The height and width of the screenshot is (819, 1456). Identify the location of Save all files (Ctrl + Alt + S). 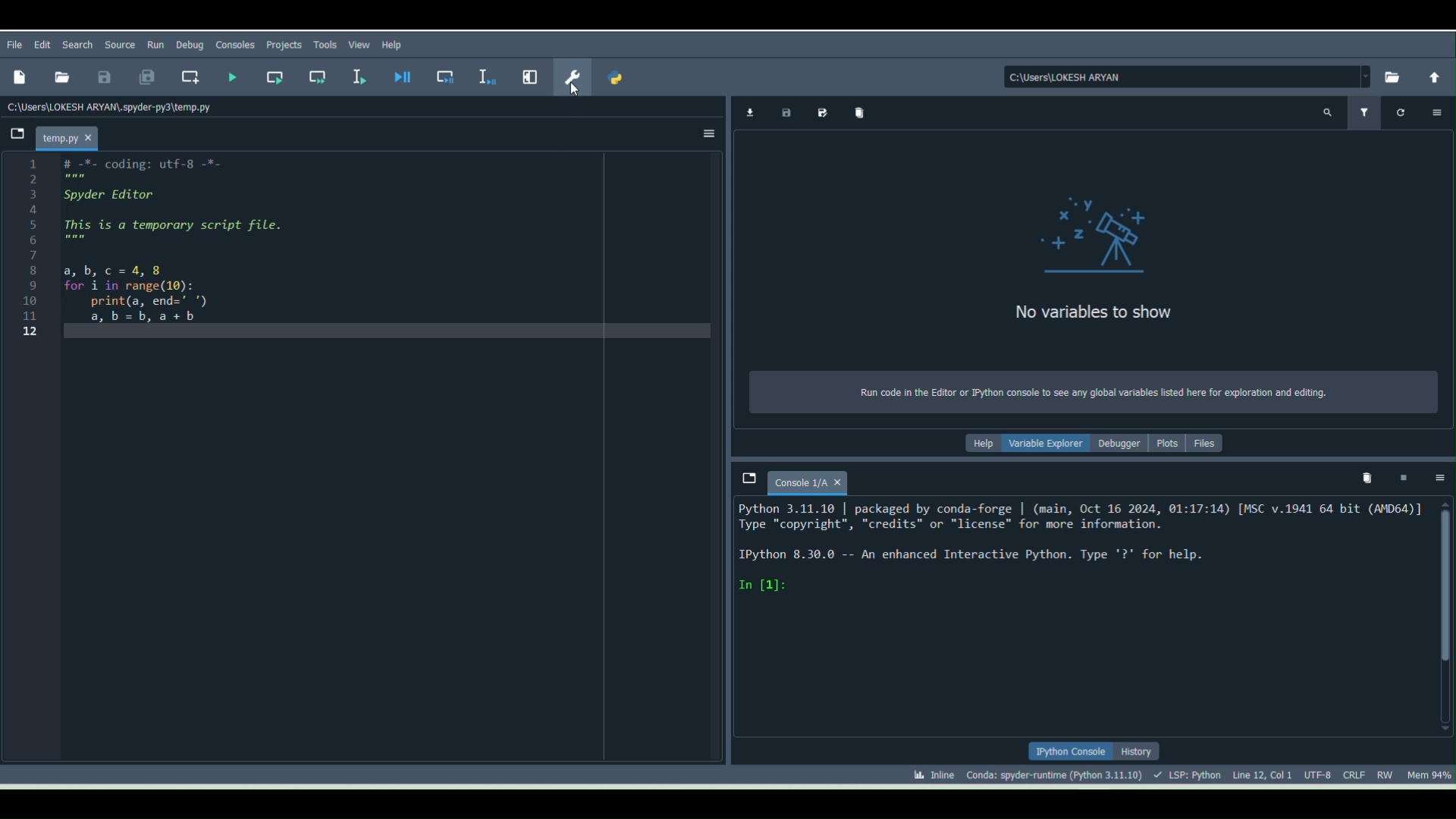
(140, 78).